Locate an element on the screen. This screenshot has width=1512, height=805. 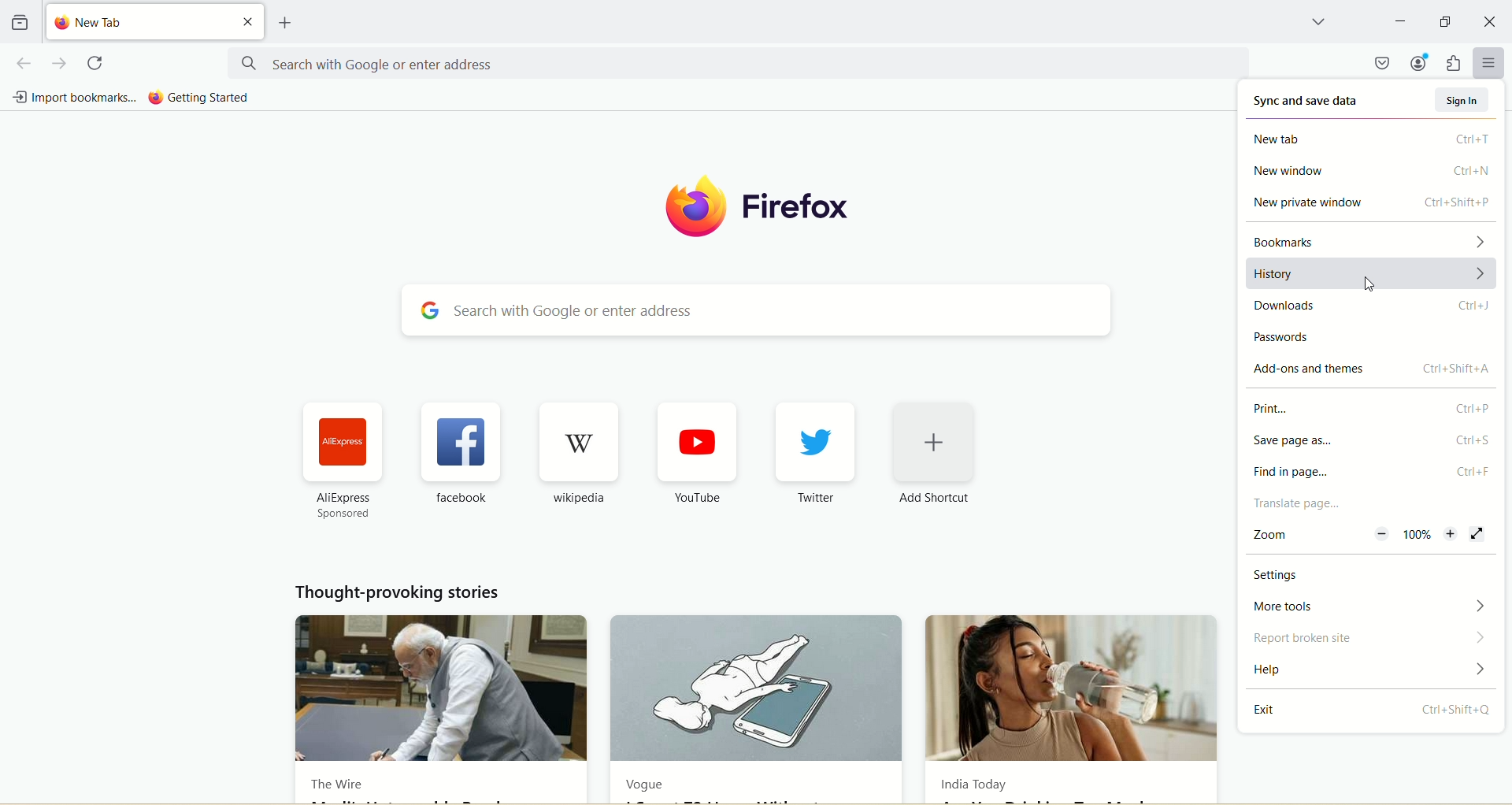
history is located at coordinates (1374, 273).